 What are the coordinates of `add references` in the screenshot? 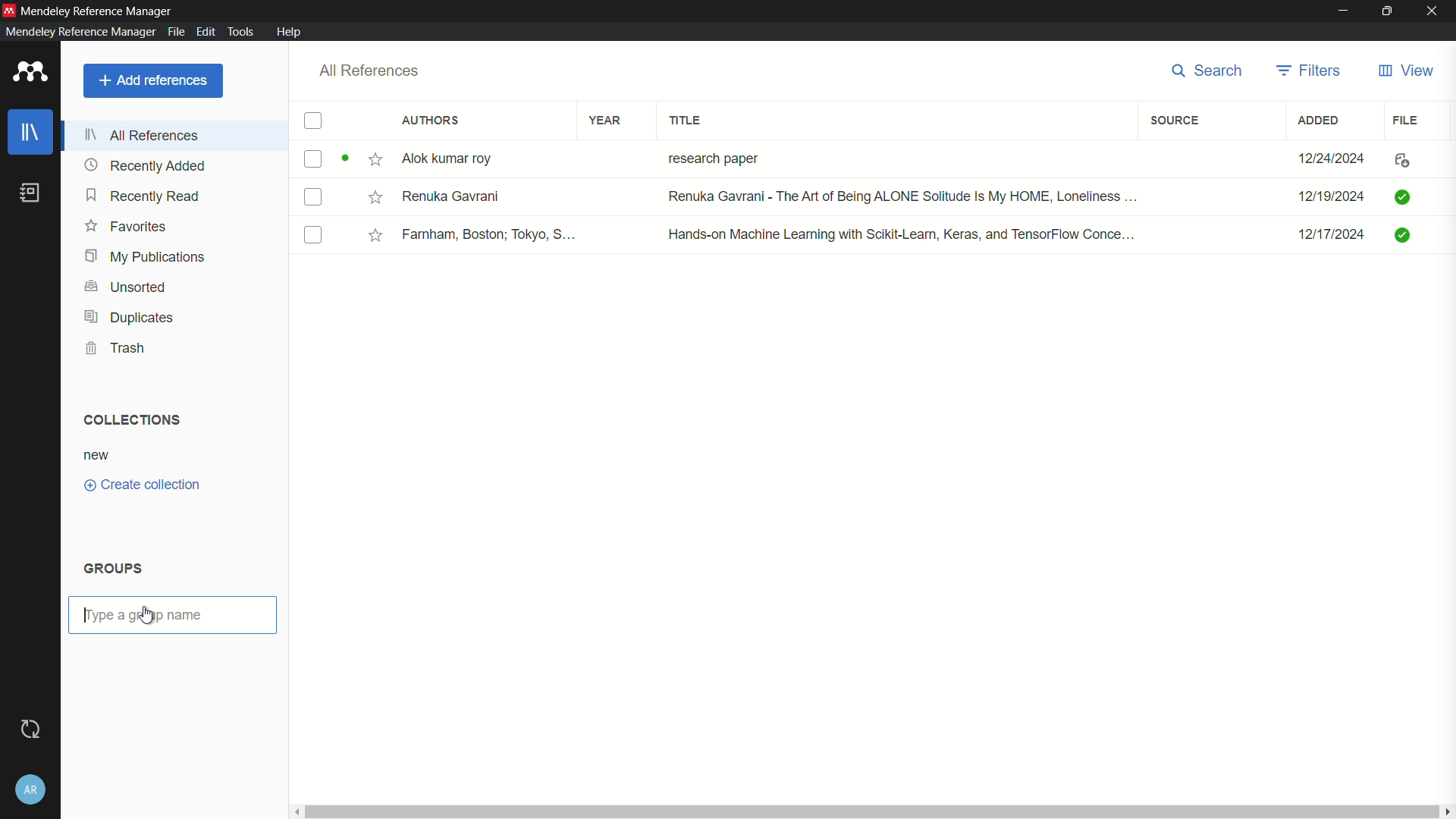 It's located at (153, 80).